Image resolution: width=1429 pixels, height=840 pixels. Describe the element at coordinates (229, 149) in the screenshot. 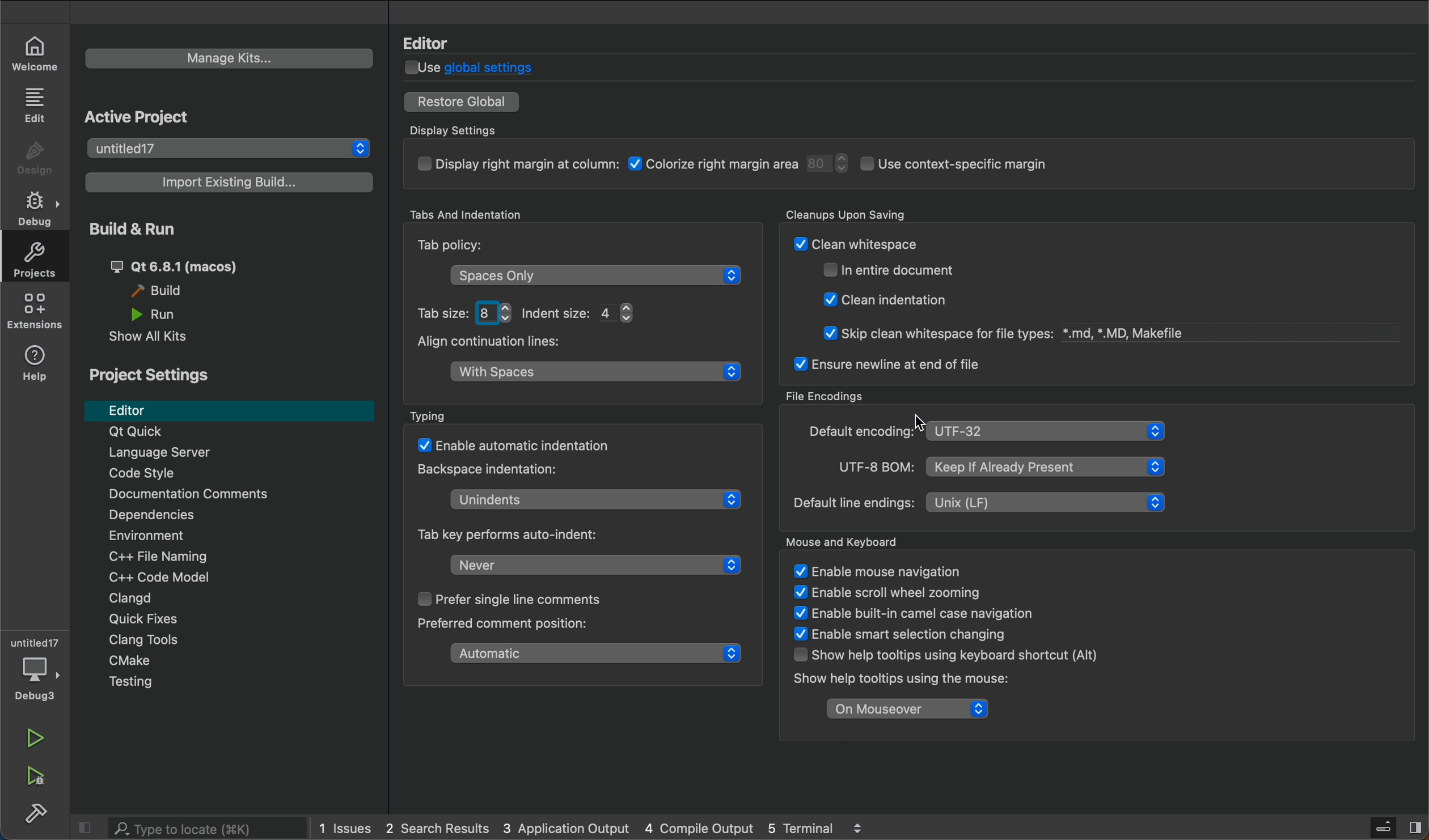

I see `projects` at that location.